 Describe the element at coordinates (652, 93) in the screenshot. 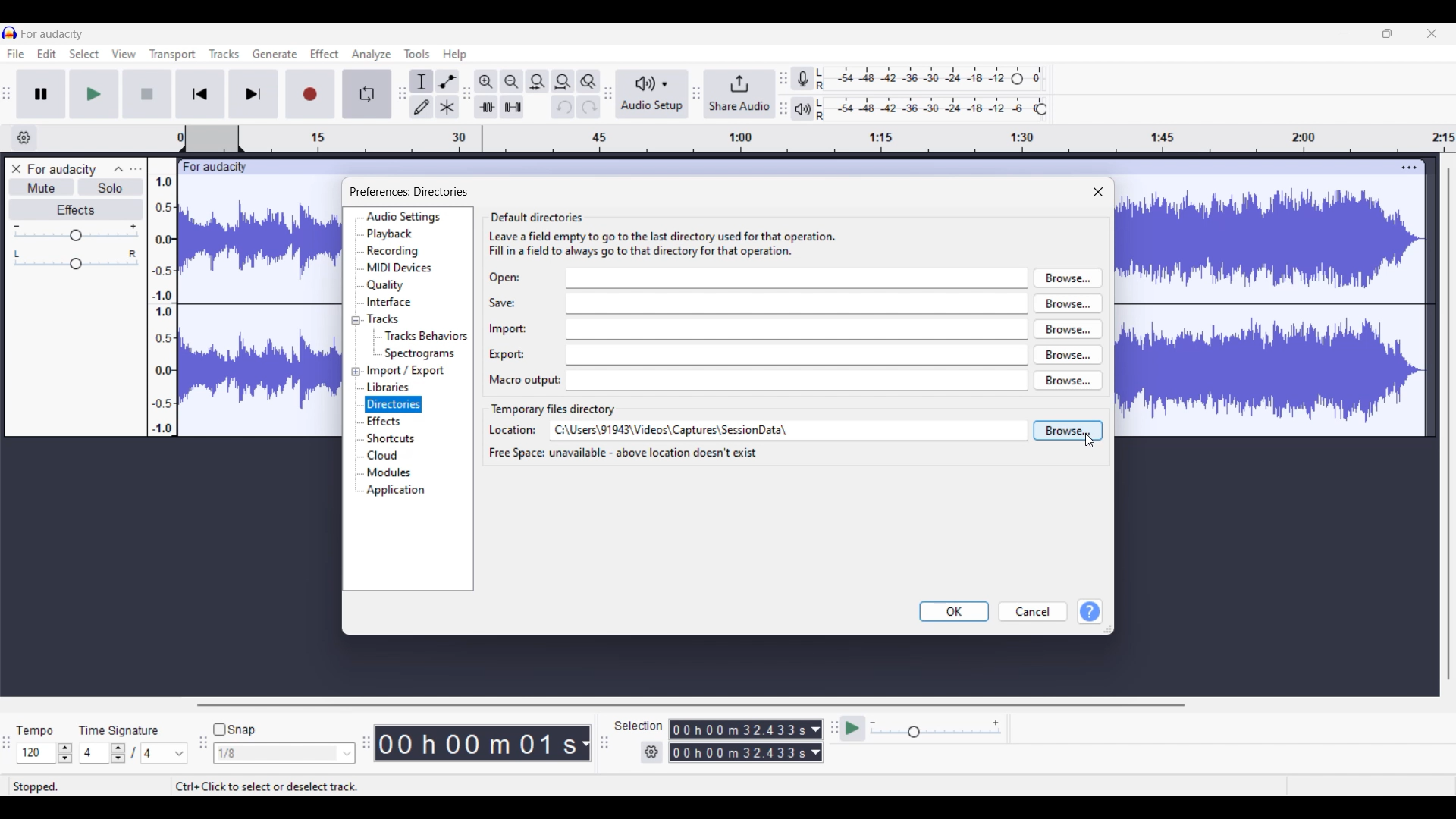

I see `Audio setup` at that location.